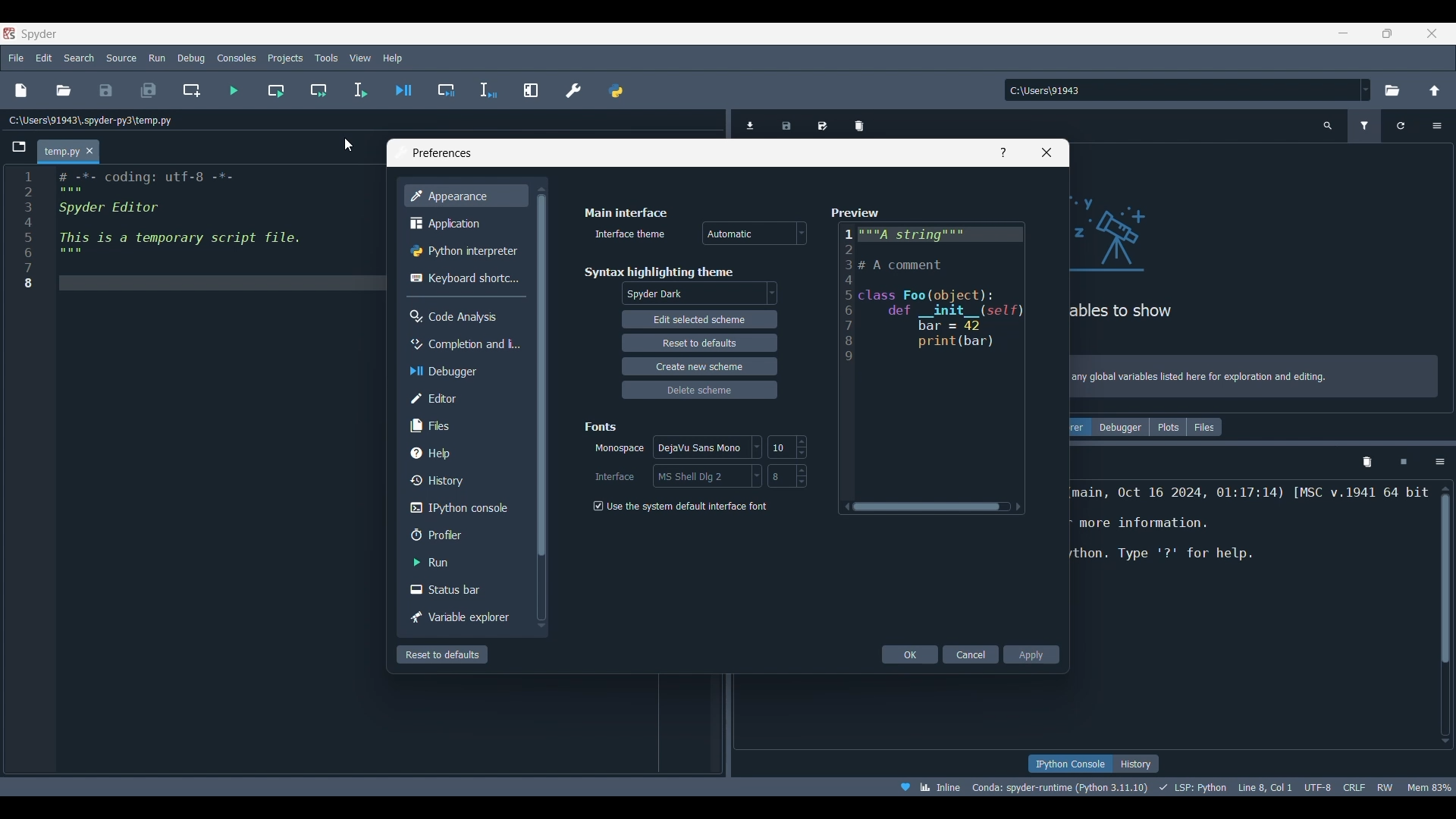 This screenshot has height=819, width=1456. What do you see at coordinates (464, 251) in the screenshot?
I see `Python interpreter` at bounding box center [464, 251].